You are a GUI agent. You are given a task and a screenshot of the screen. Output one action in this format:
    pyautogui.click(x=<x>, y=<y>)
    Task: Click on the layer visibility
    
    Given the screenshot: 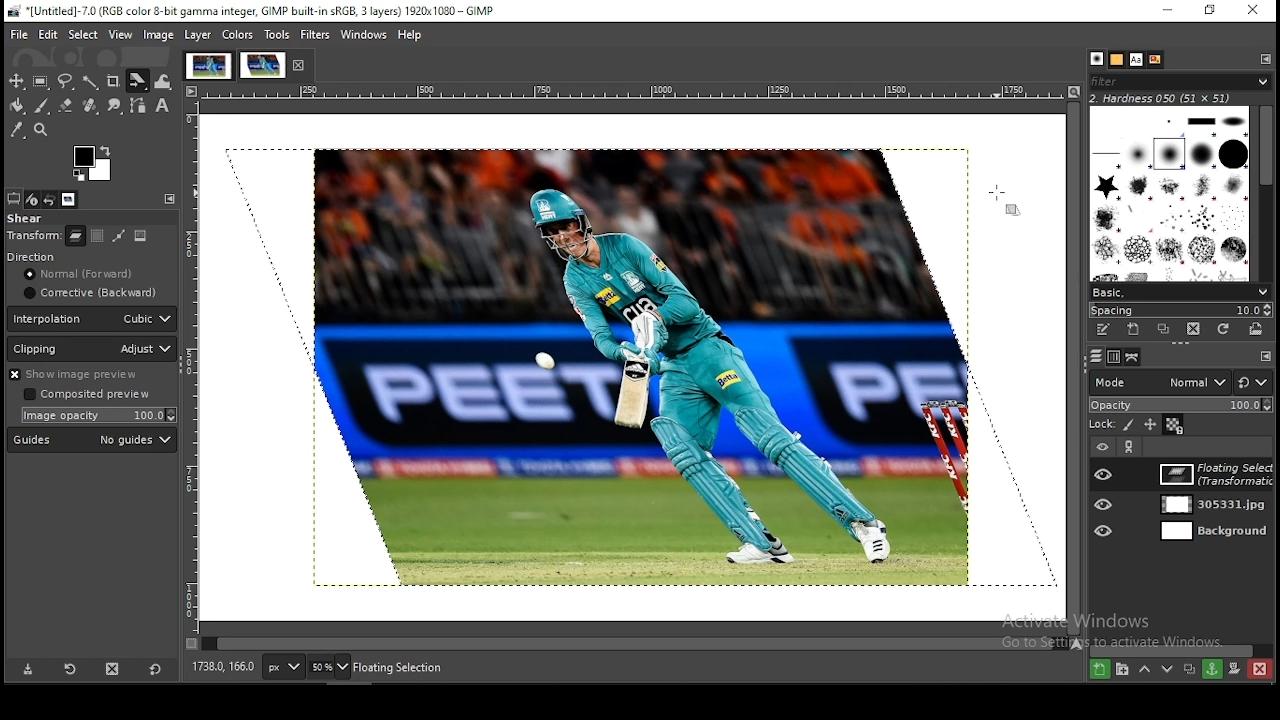 What is the action you would take?
    pyautogui.click(x=1099, y=447)
    